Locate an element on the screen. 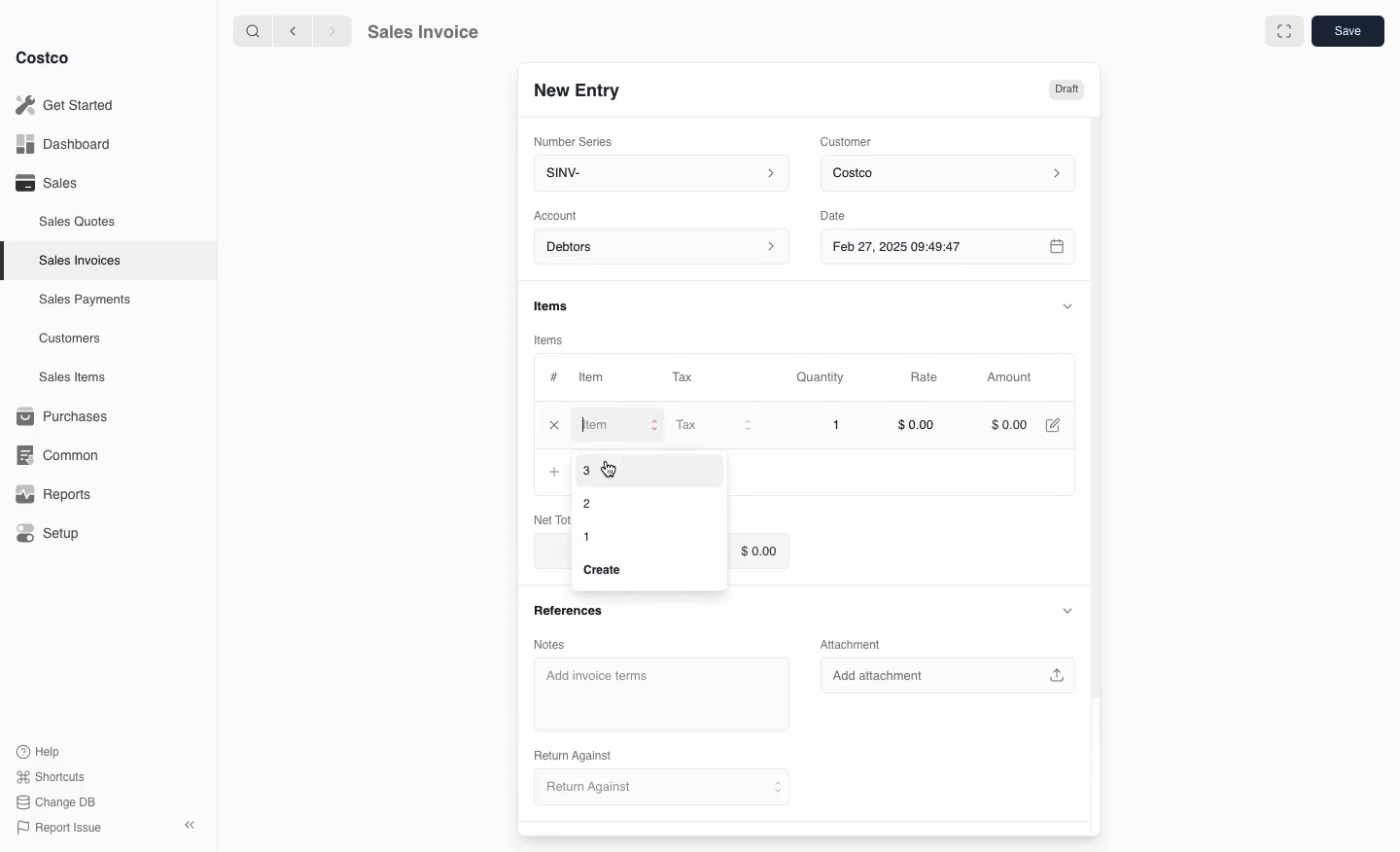 This screenshot has height=852, width=1400. Sales Quotes is located at coordinates (79, 221).